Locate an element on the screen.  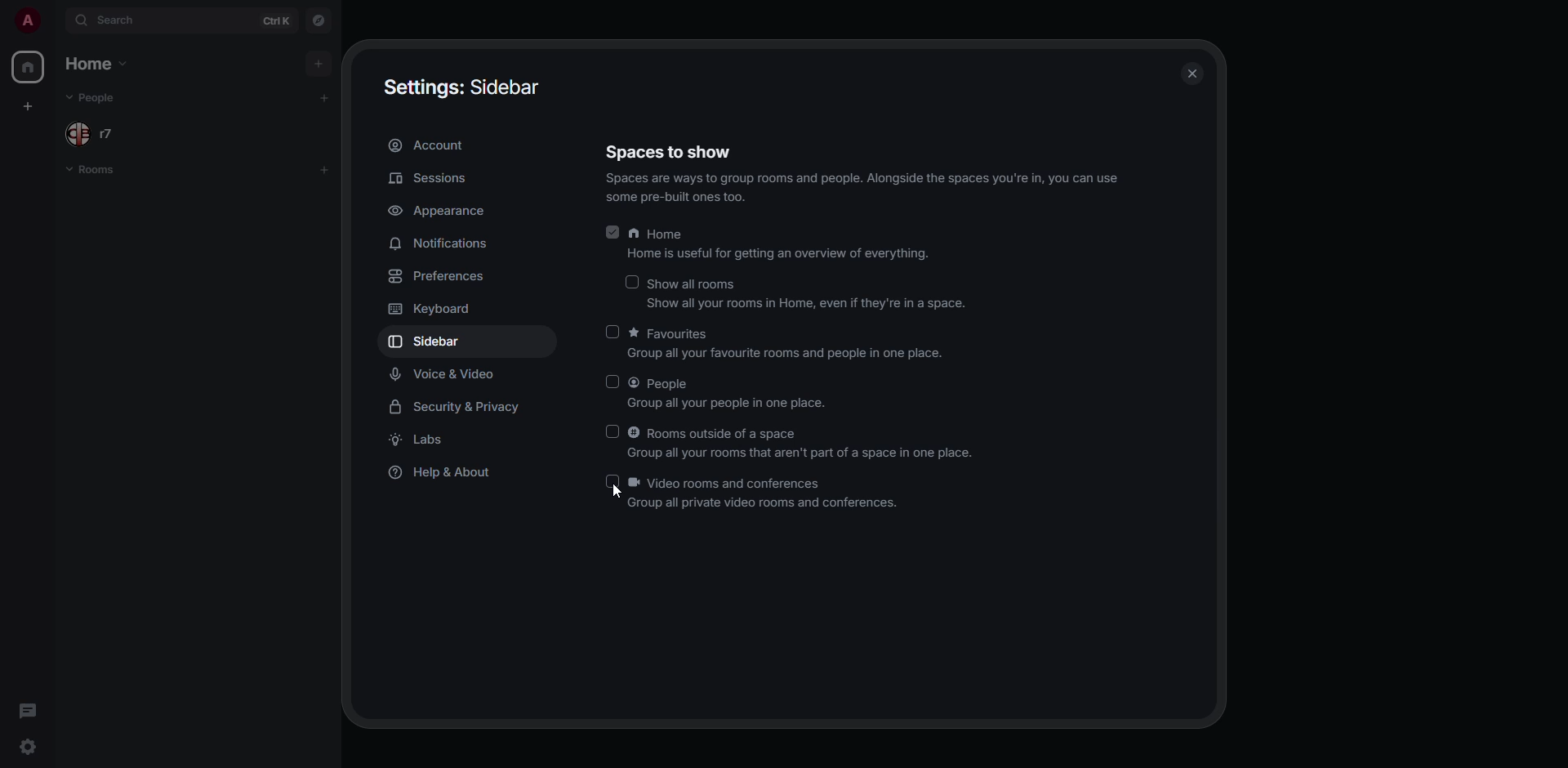
people is located at coordinates (99, 97).